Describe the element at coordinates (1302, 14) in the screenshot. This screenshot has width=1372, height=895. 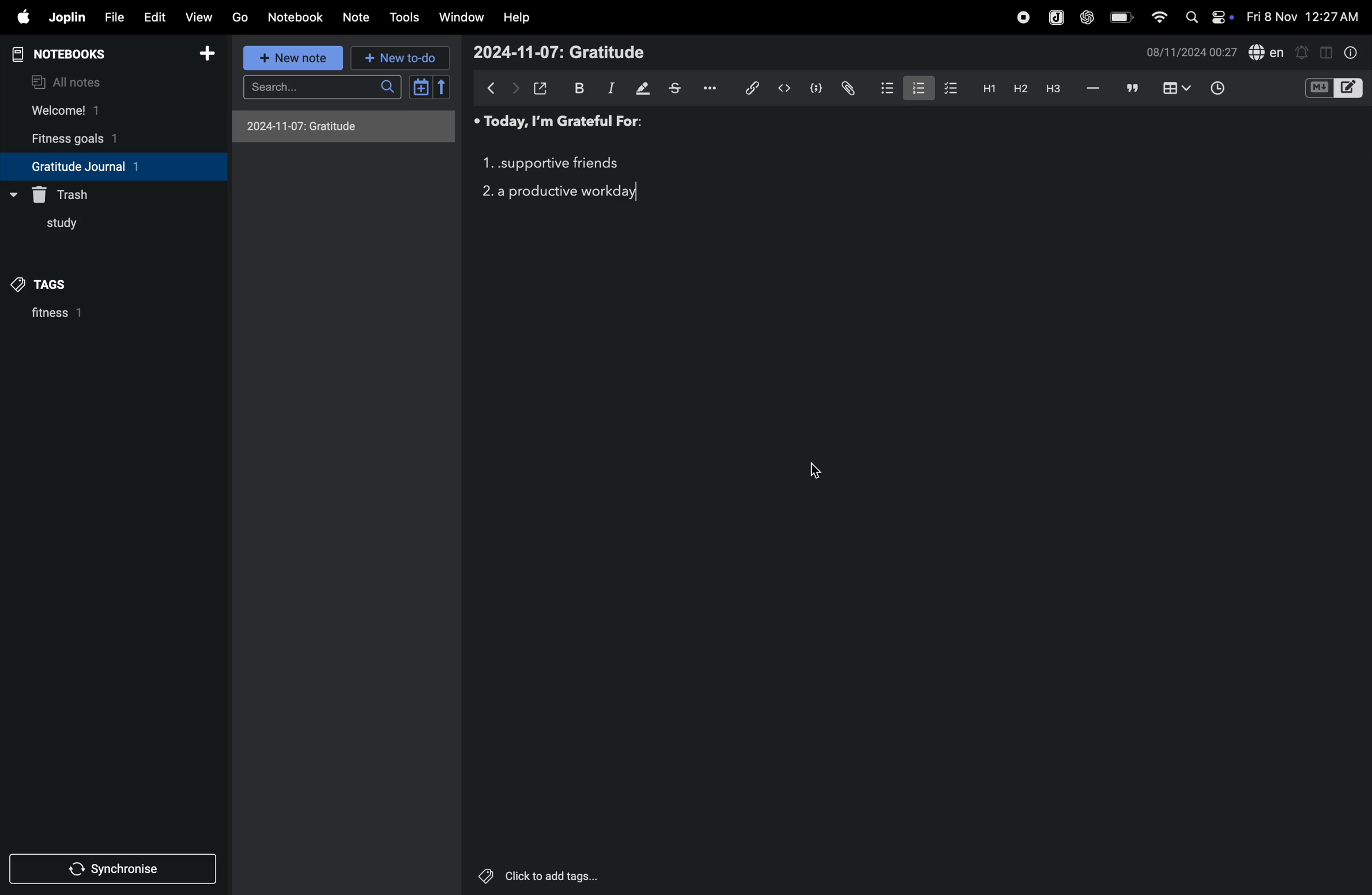
I see `fri 8 Nov 12:27 AM` at that location.